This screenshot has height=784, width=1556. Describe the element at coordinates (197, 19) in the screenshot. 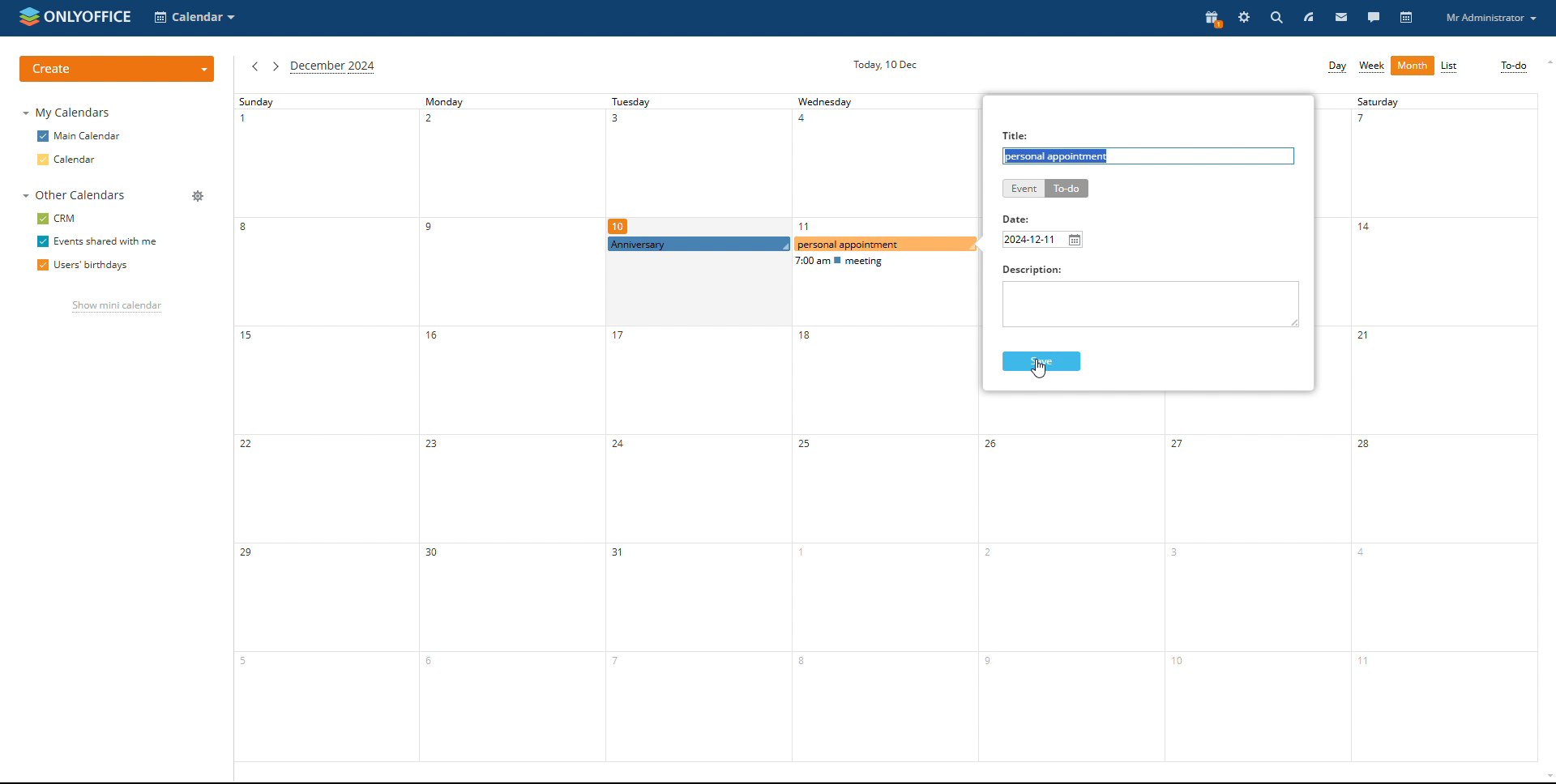

I see `select application` at that location.